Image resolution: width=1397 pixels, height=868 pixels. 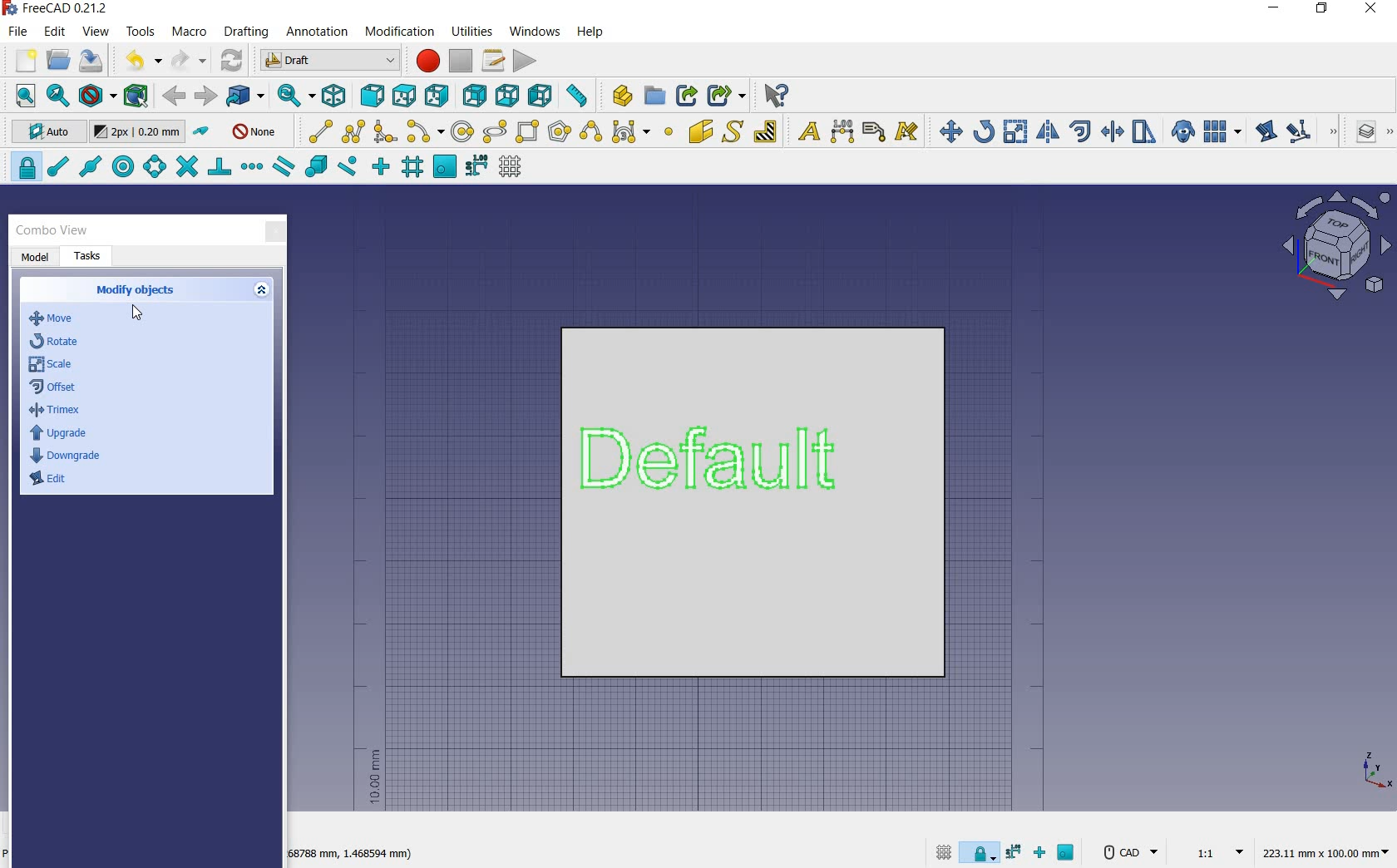 I want to click on back, so click(x=175, y=96).